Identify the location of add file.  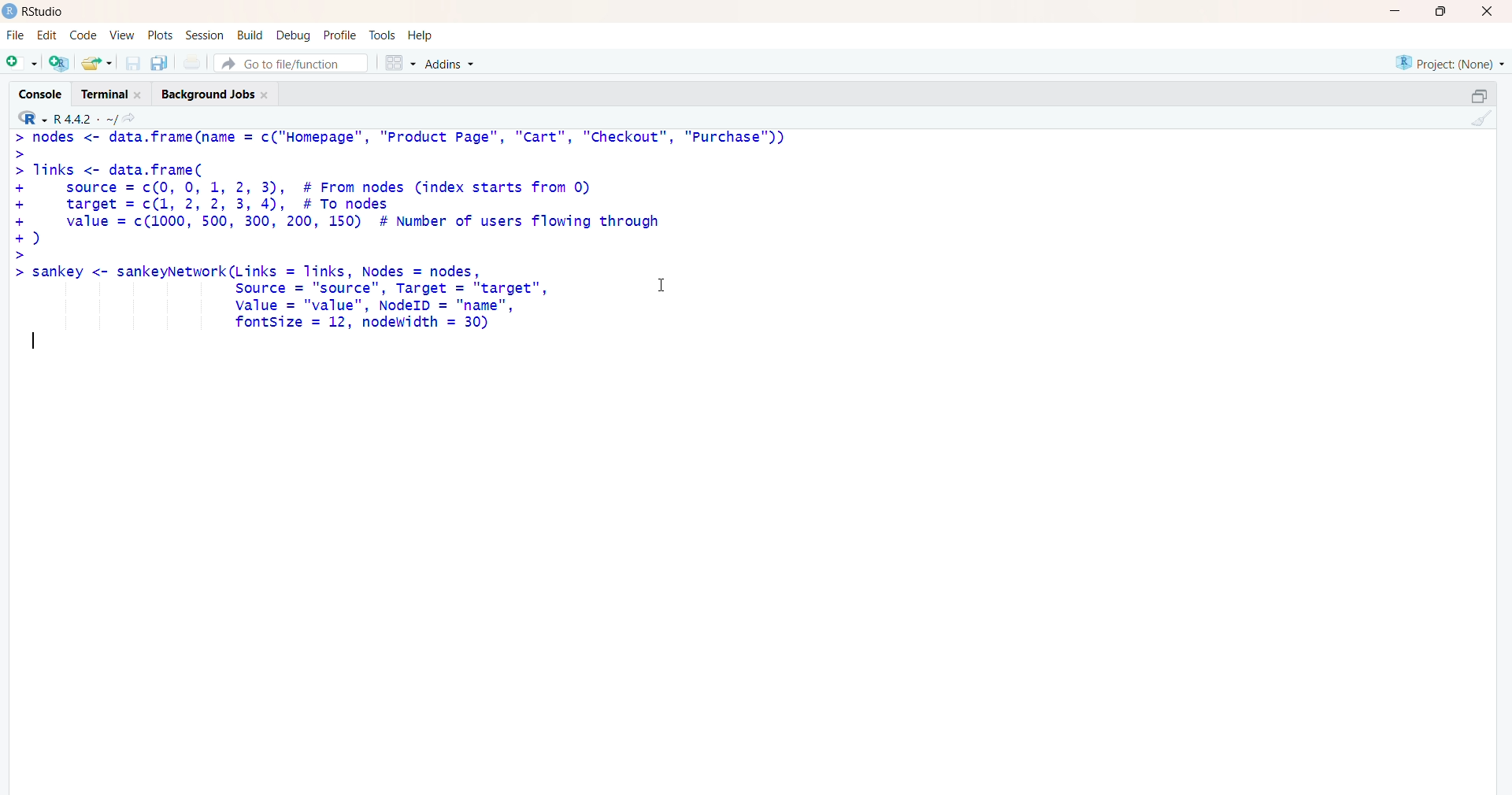
(60, 65).